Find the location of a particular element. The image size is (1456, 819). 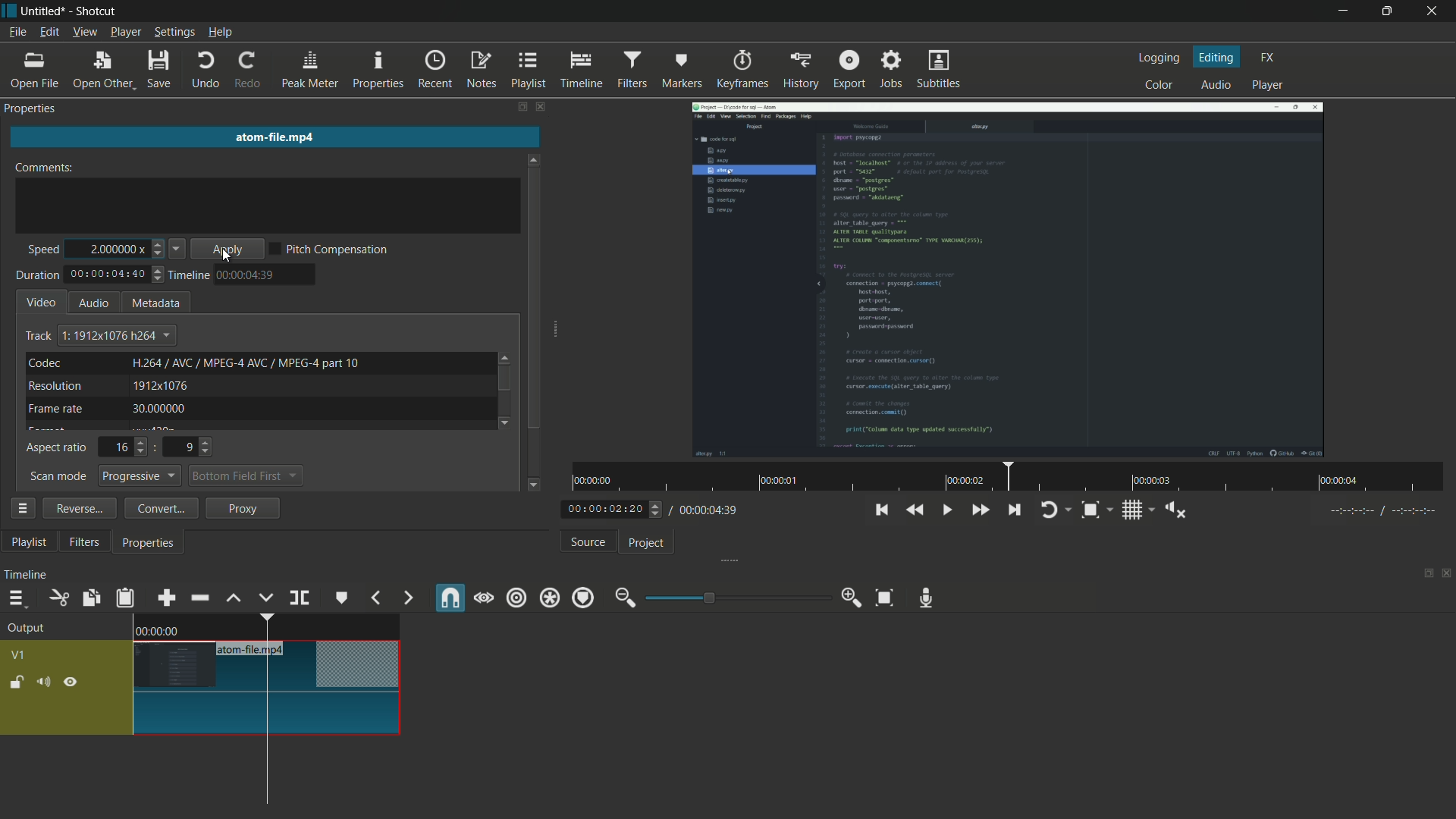

30 is located at coordinates (157, 408).